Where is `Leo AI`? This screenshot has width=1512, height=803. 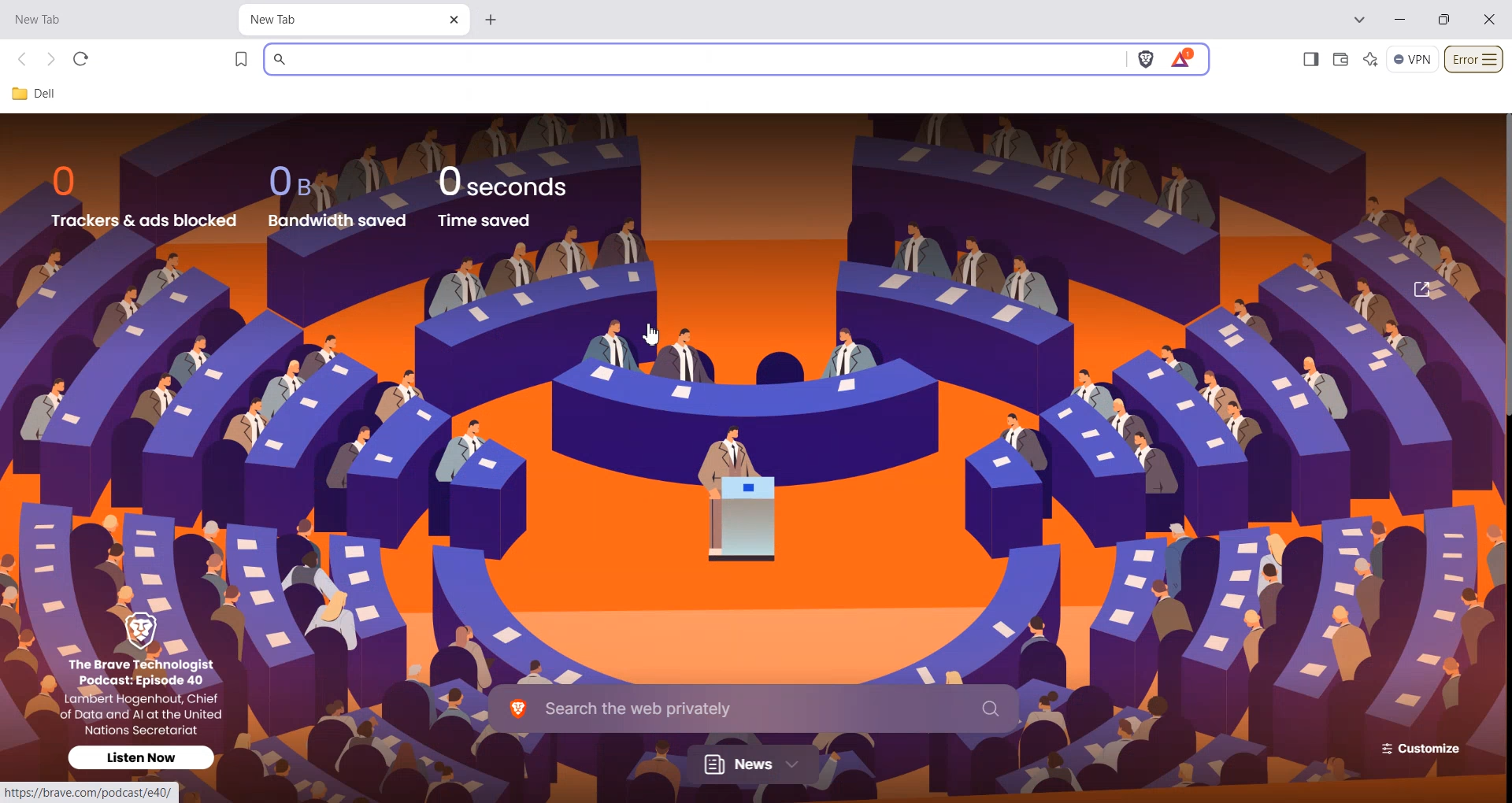 Leo AI is located at coordinates (1371, 60).